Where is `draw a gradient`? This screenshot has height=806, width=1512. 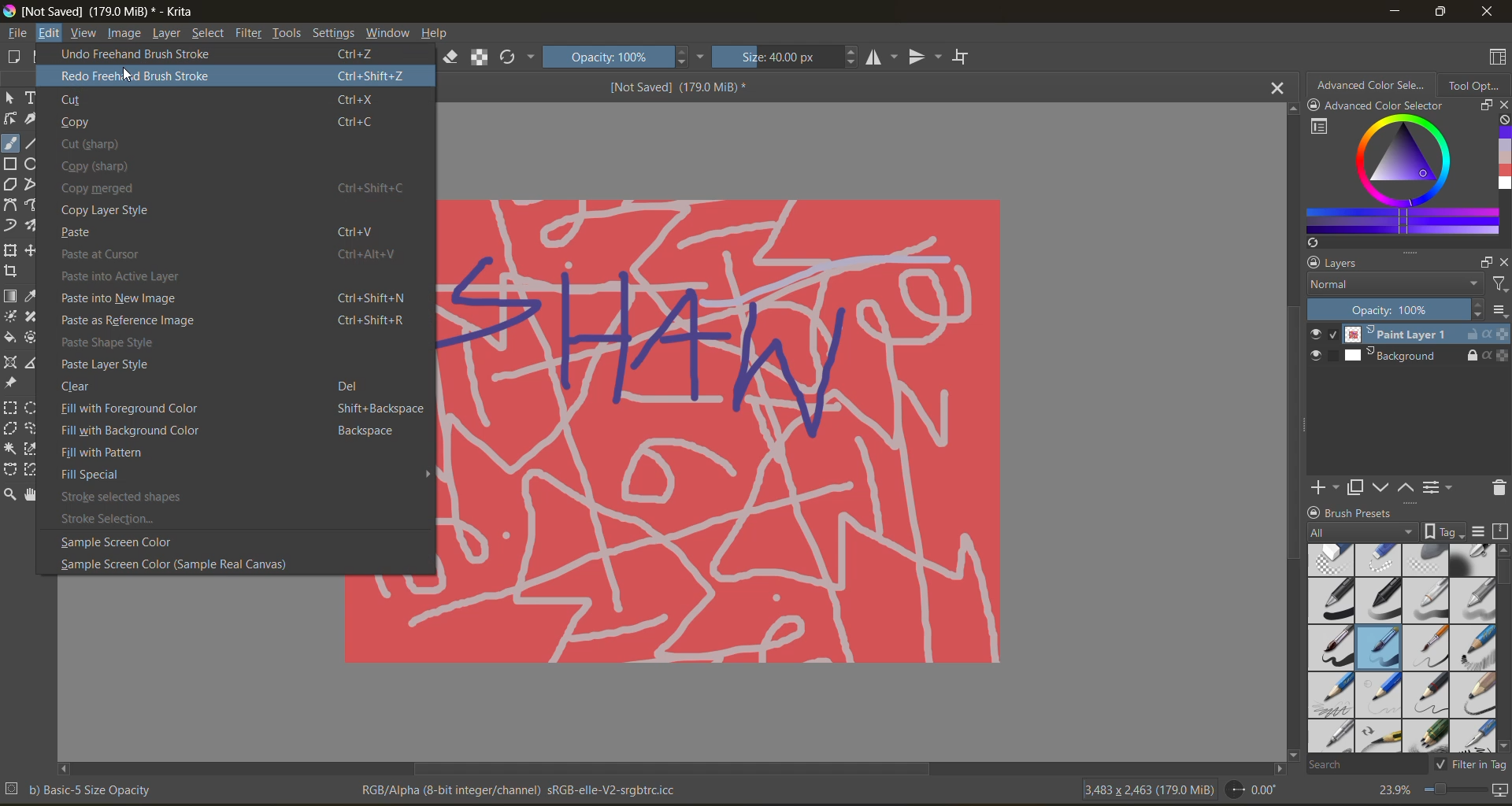
draw a gradient is located at coordinates (11, 296).